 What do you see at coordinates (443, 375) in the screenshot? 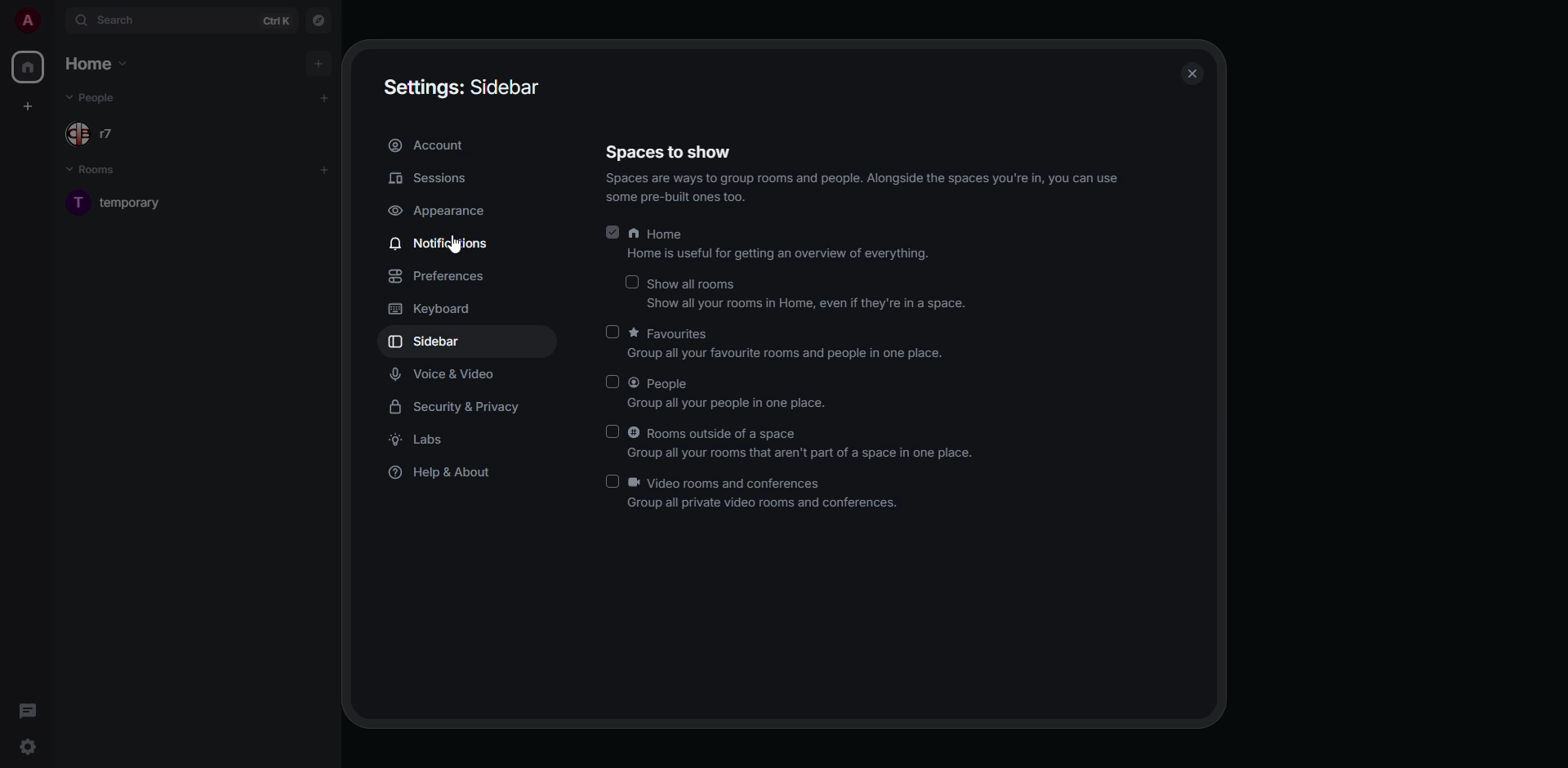
I see `voice & video` at bounding box center [443, 375].